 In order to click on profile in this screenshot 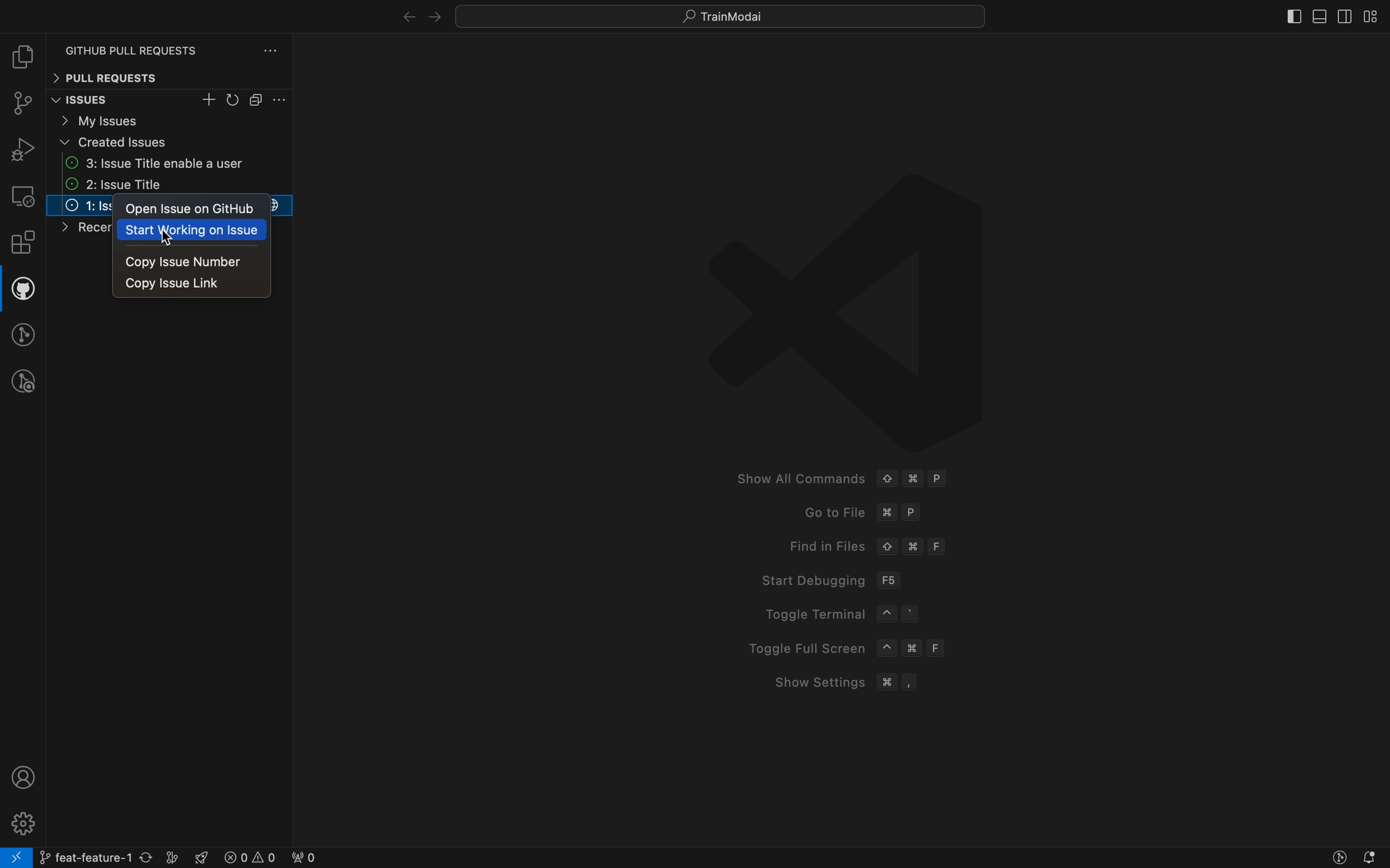, I will do `click(20, 777)`.